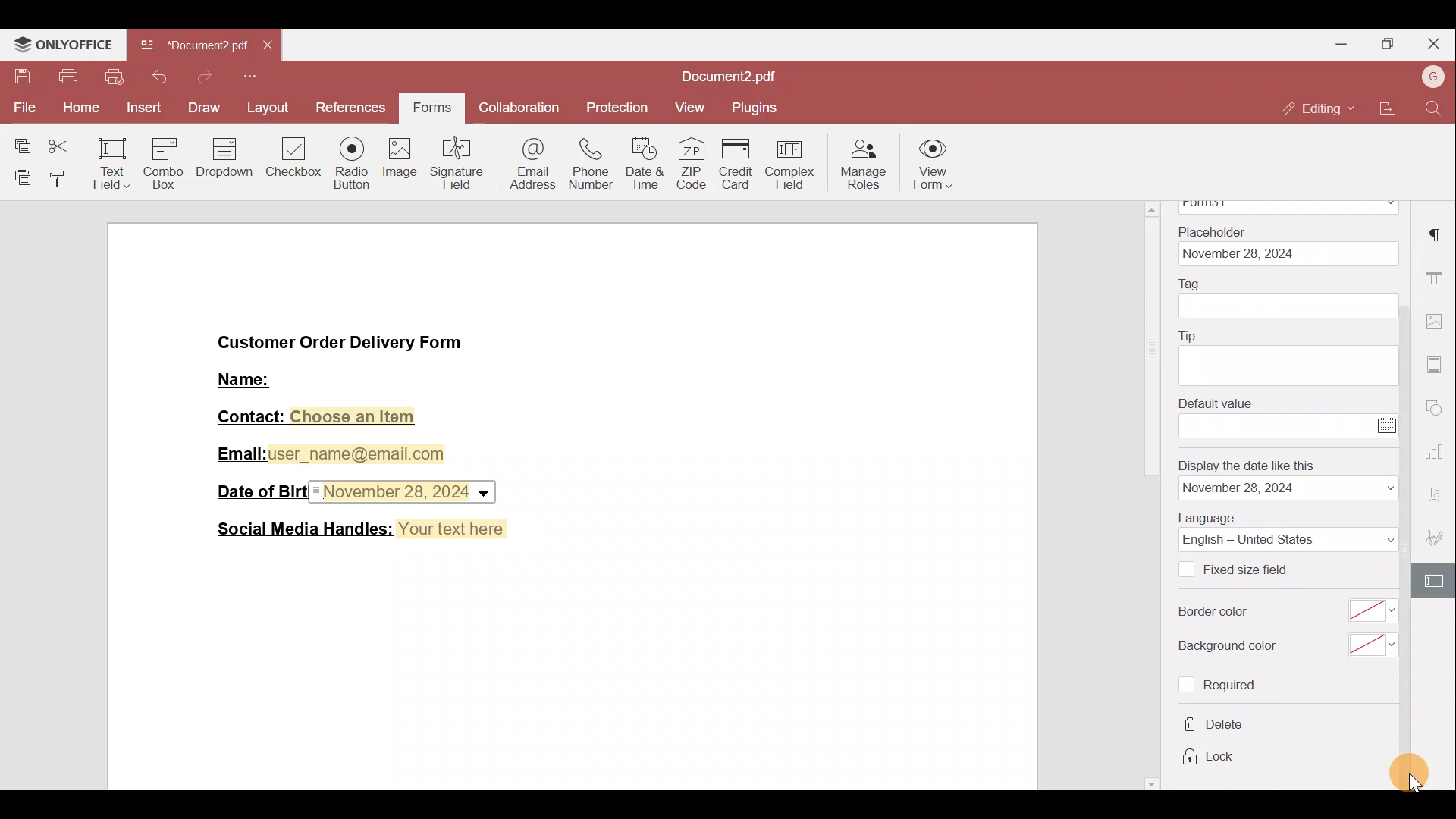  What do you see at coordinates (327, 454) in the screenshot?
I see `Email:user_name@email.com` at bounding box center [327, 454].